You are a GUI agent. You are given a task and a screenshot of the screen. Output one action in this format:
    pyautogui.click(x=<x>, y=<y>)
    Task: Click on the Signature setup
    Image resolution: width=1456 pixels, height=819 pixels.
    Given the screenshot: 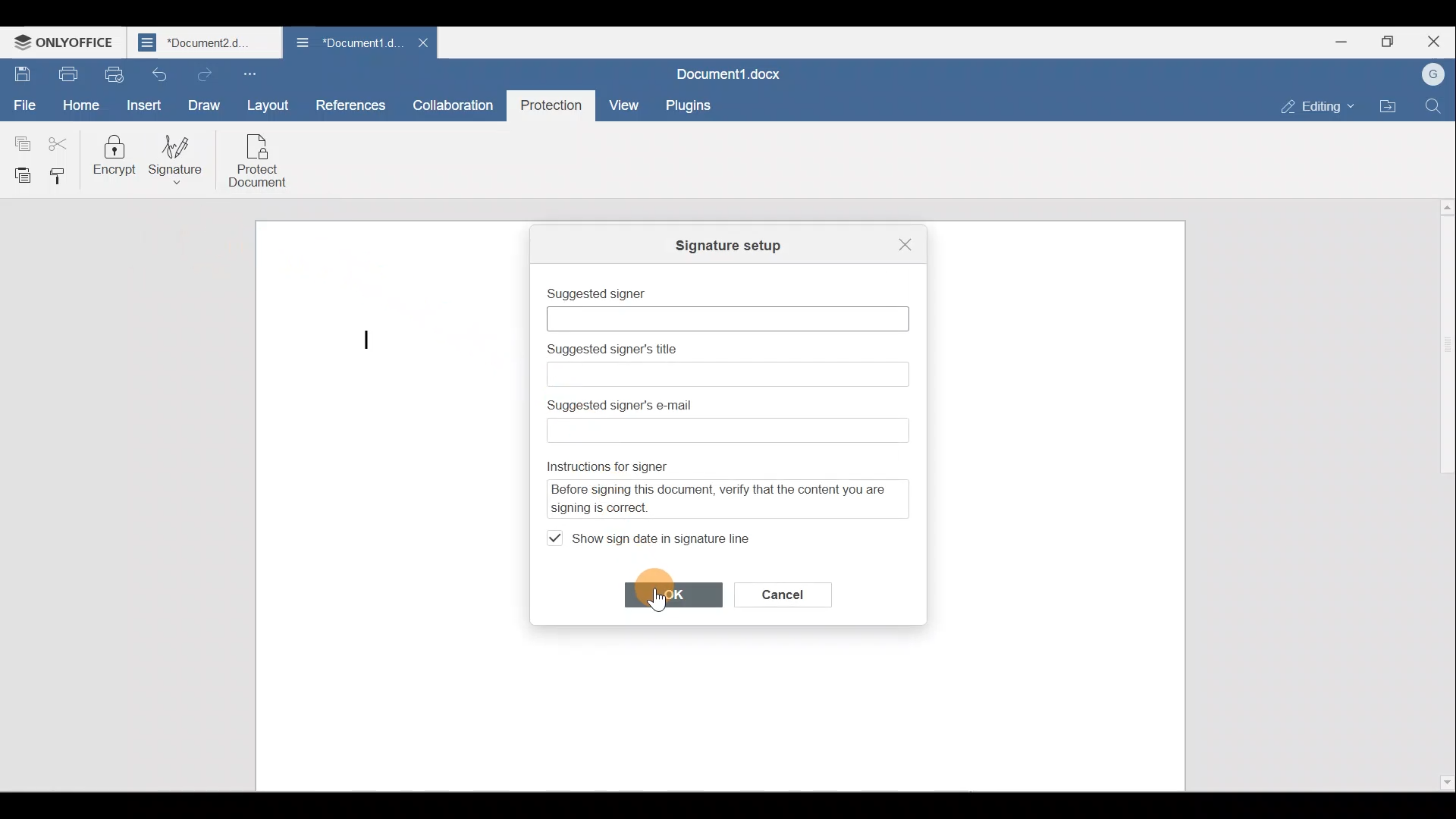 What is the action you would take?
    pyautogui.click(x=731, y=244)
    